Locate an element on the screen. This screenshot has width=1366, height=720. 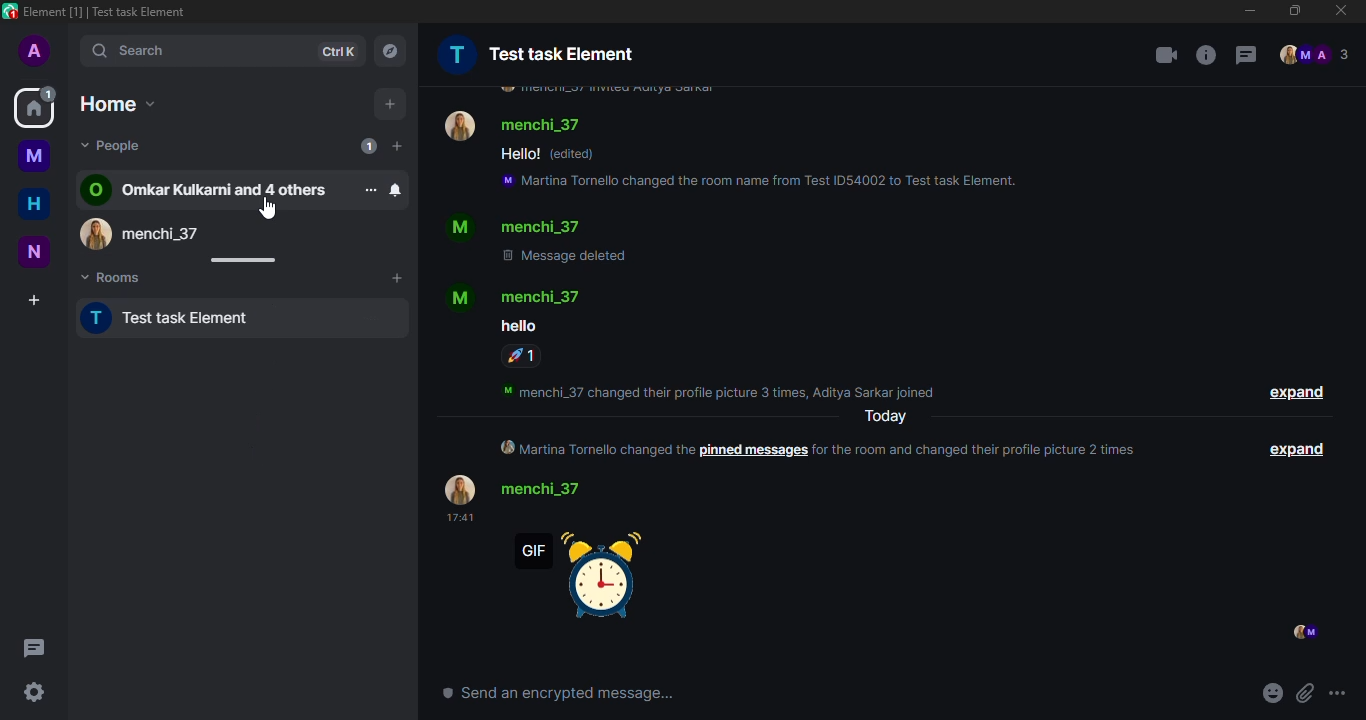
rooms is located at coordinates (119, 275).